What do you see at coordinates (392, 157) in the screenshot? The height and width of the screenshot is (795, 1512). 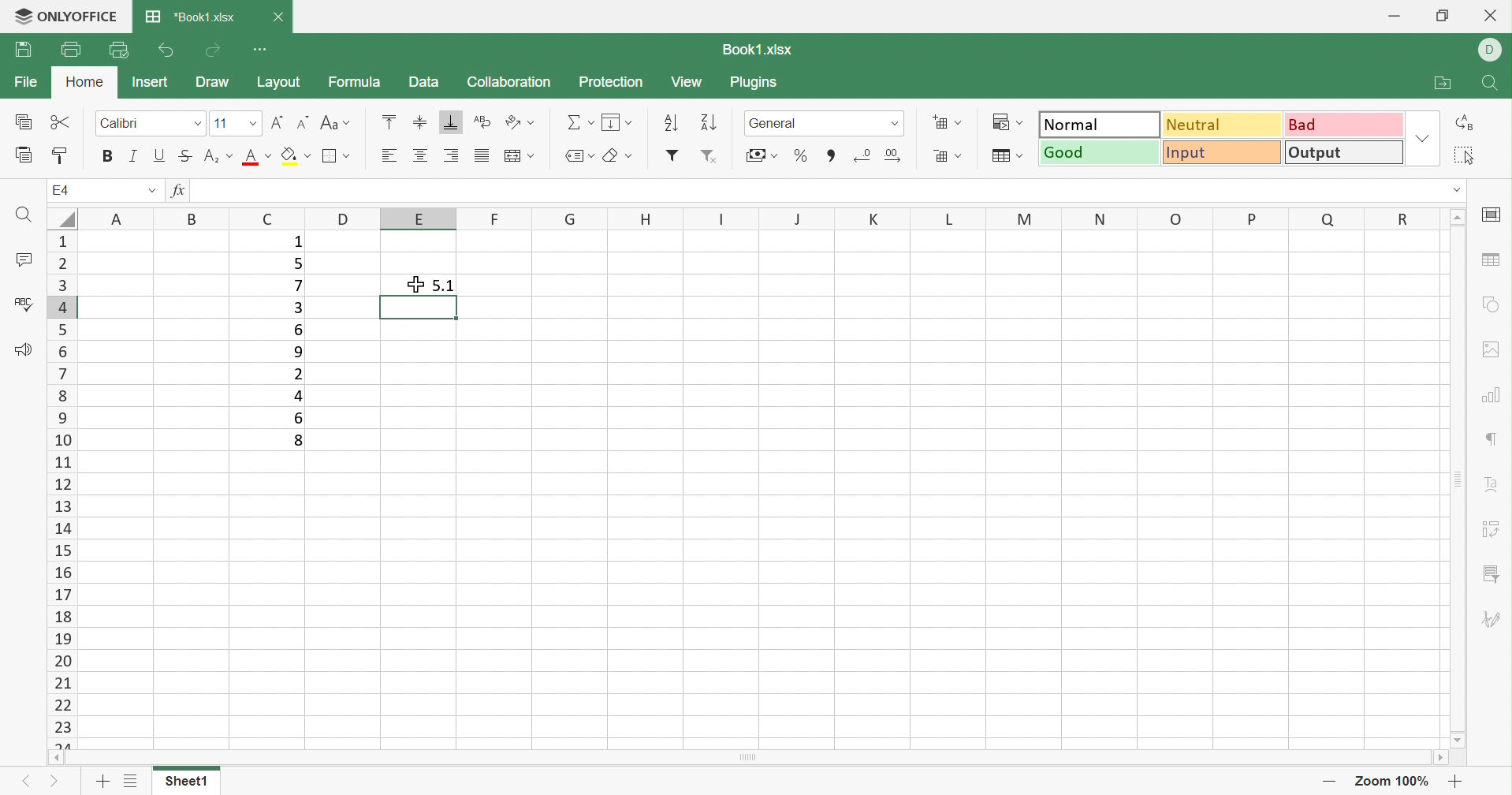 I see `Align Right` at bounding box center [392, 157].